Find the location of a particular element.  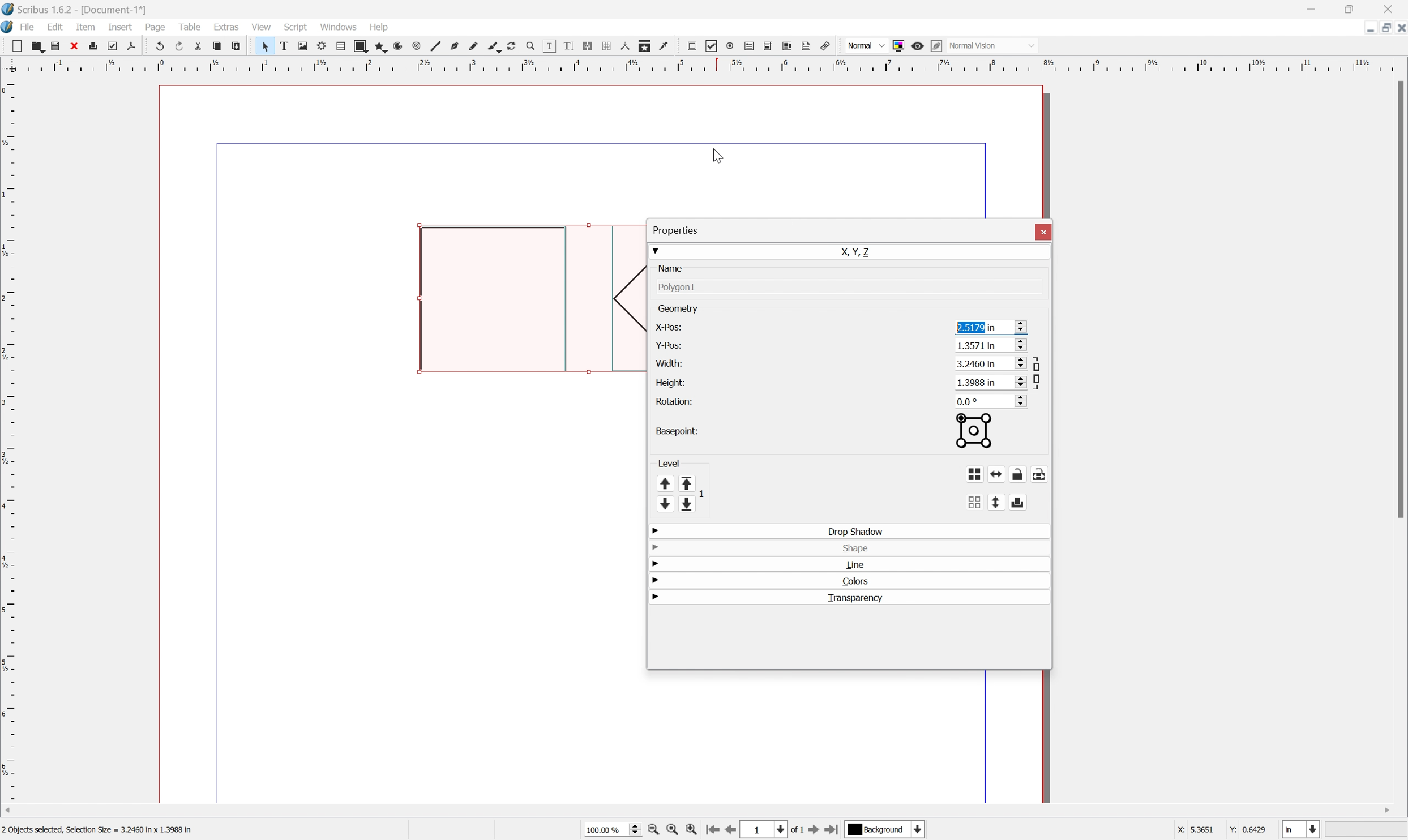

width: is located at coordinates (667, 362).